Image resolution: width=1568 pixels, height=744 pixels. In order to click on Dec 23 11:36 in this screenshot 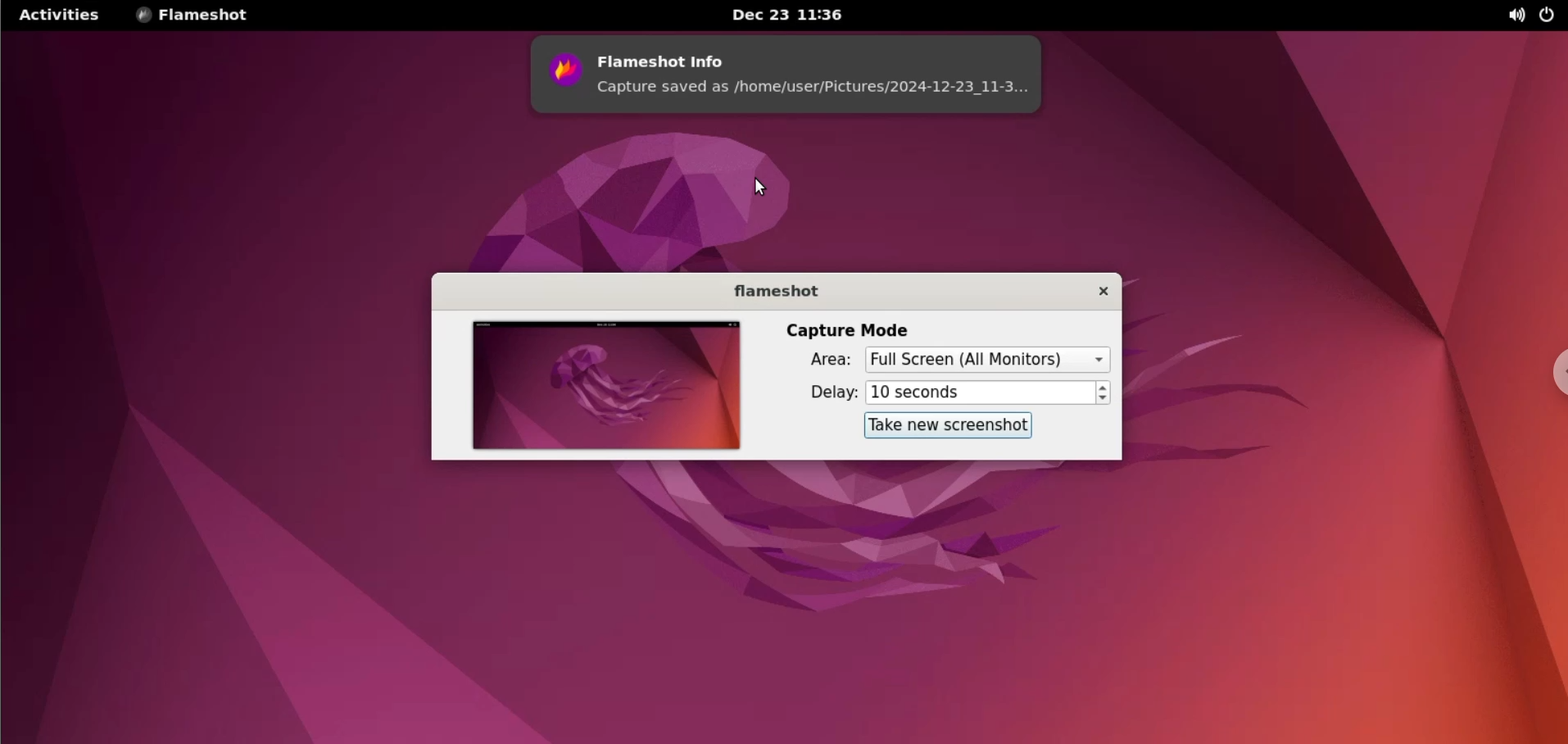, I will do `click(797, 15)`.